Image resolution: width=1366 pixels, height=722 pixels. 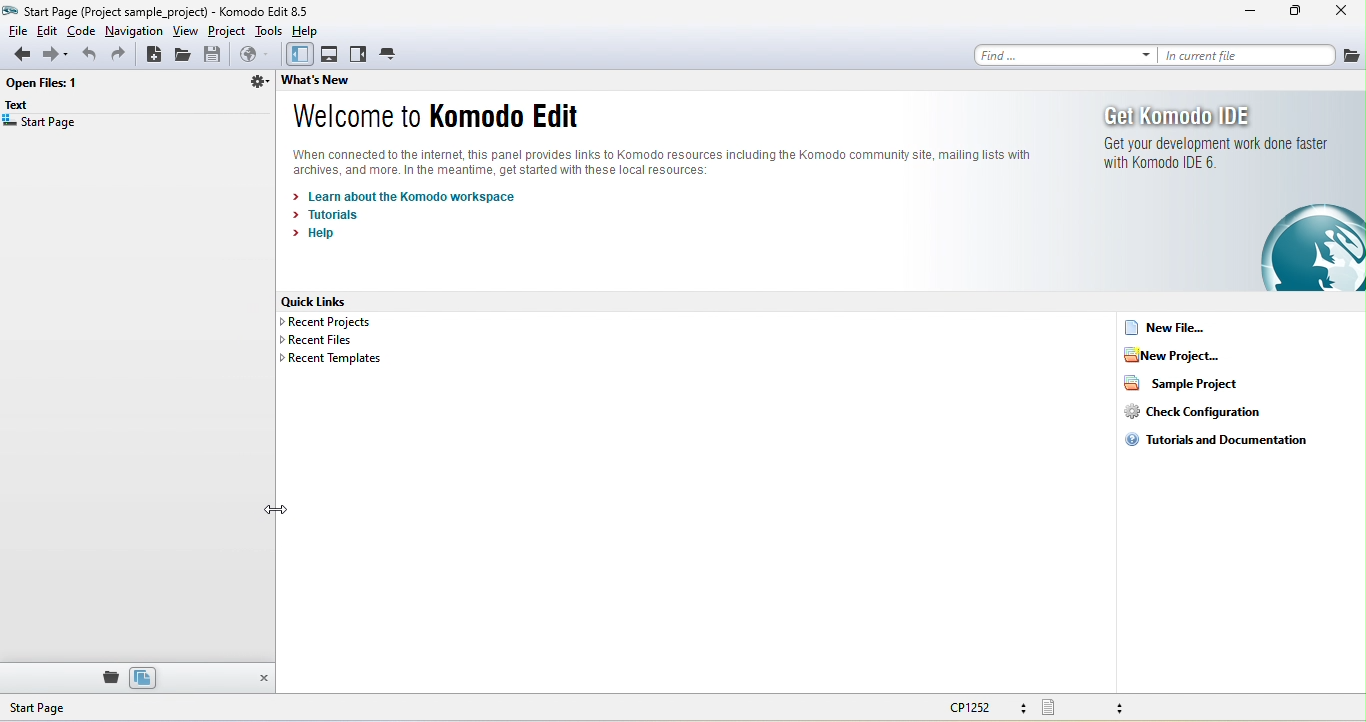 What do you see at coordinates (1351, 54) in the screenshot?
I see `file` at bounding box center [1351, 54].